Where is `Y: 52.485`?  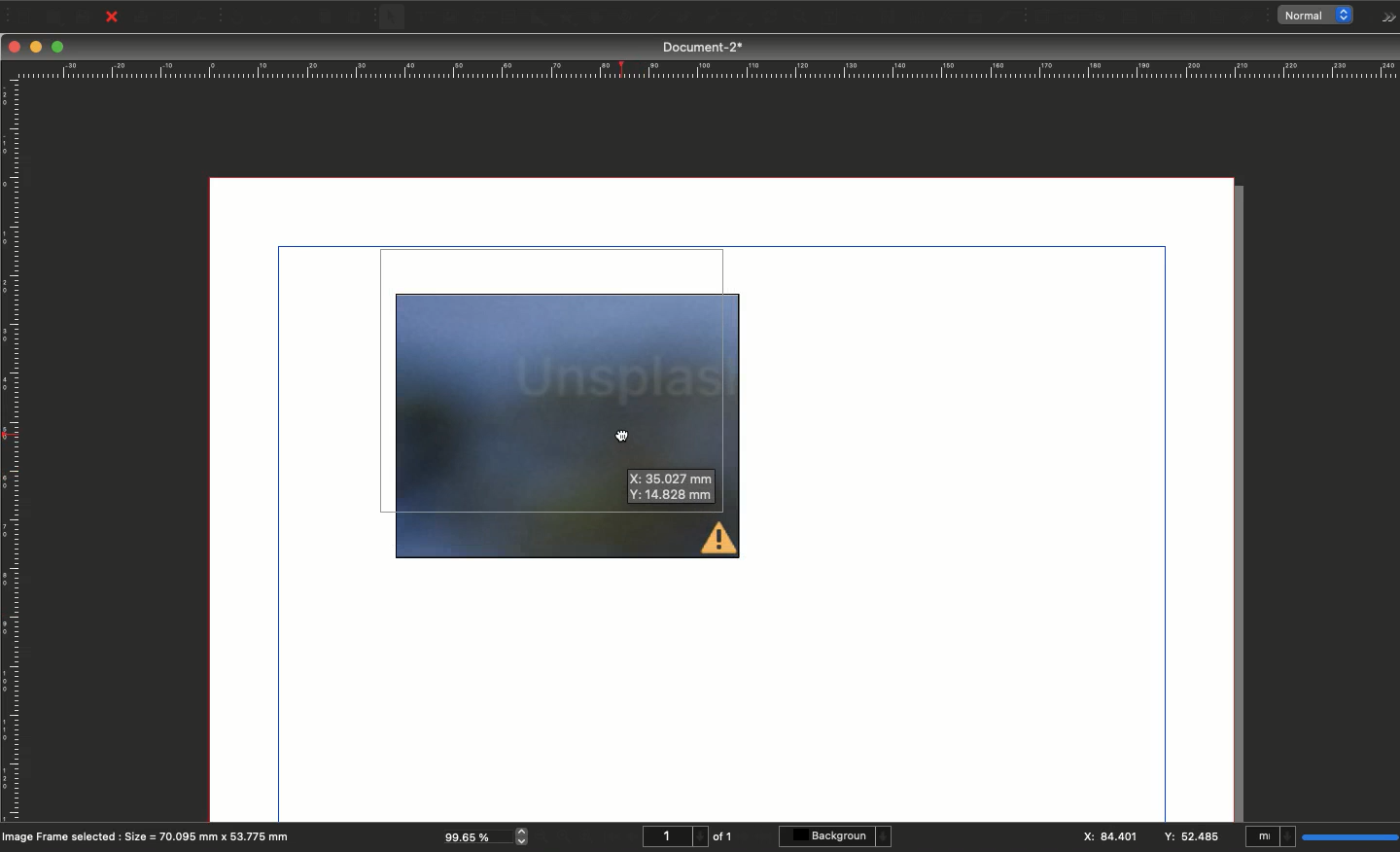
Y: 52.485 is located at coordinates (1194, 836).